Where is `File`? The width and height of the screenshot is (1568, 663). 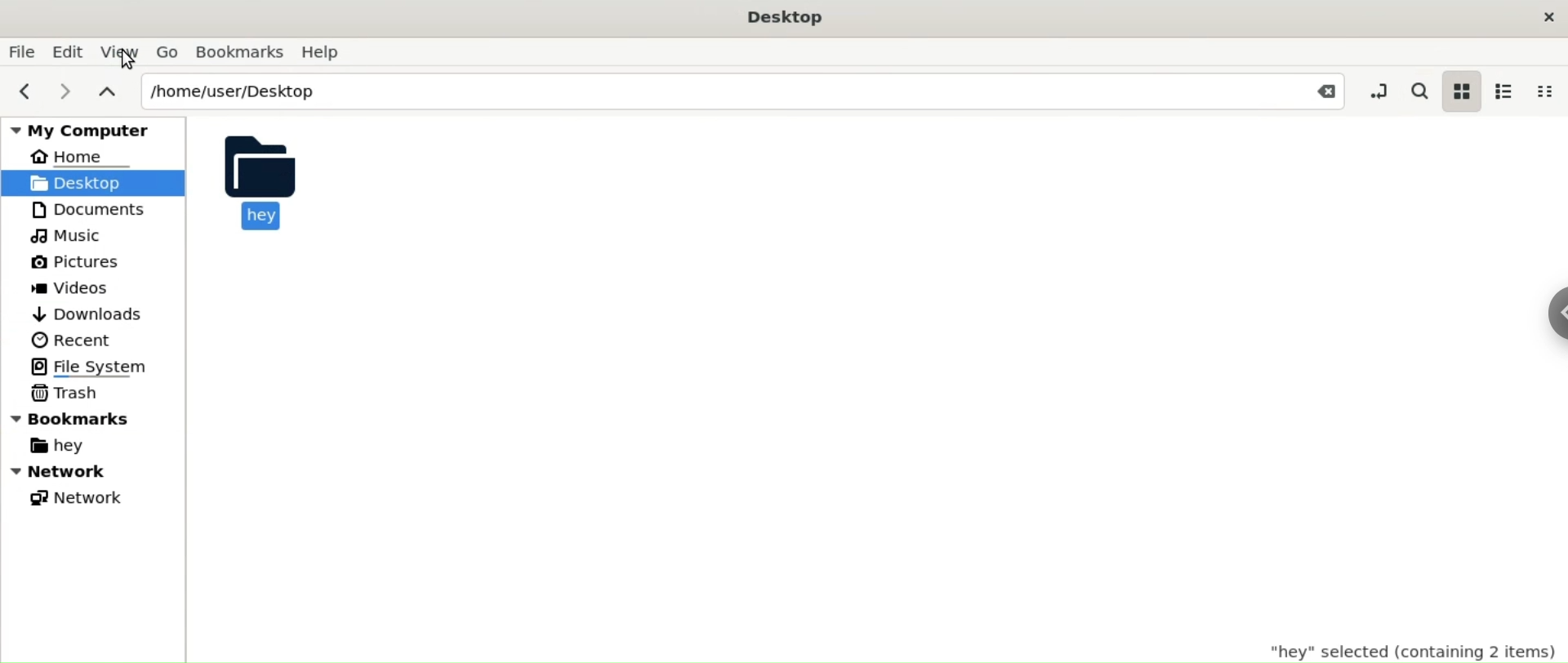
File is located at coordinates (21, 52).